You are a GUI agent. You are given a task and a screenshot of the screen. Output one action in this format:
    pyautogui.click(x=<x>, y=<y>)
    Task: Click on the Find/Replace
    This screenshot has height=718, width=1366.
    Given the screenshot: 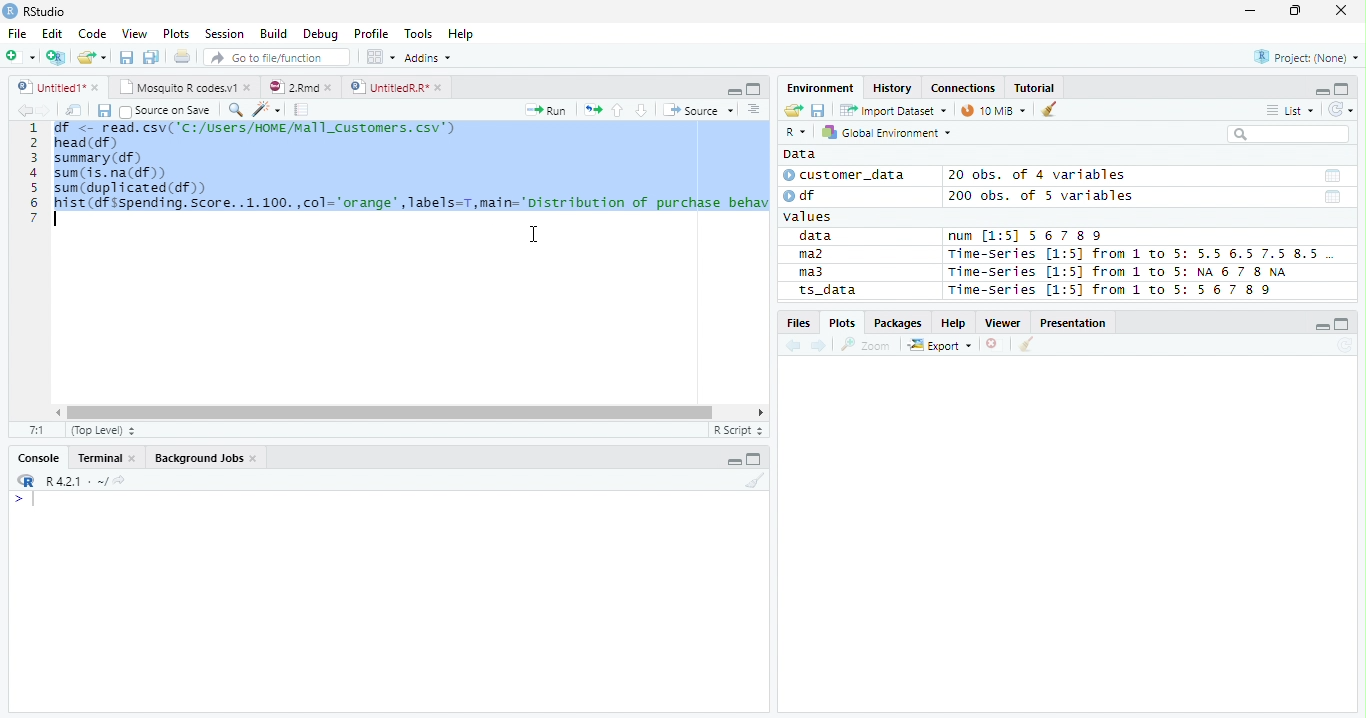 What is the action you would take?
    pyautogui.click(x=234, y=109)
    